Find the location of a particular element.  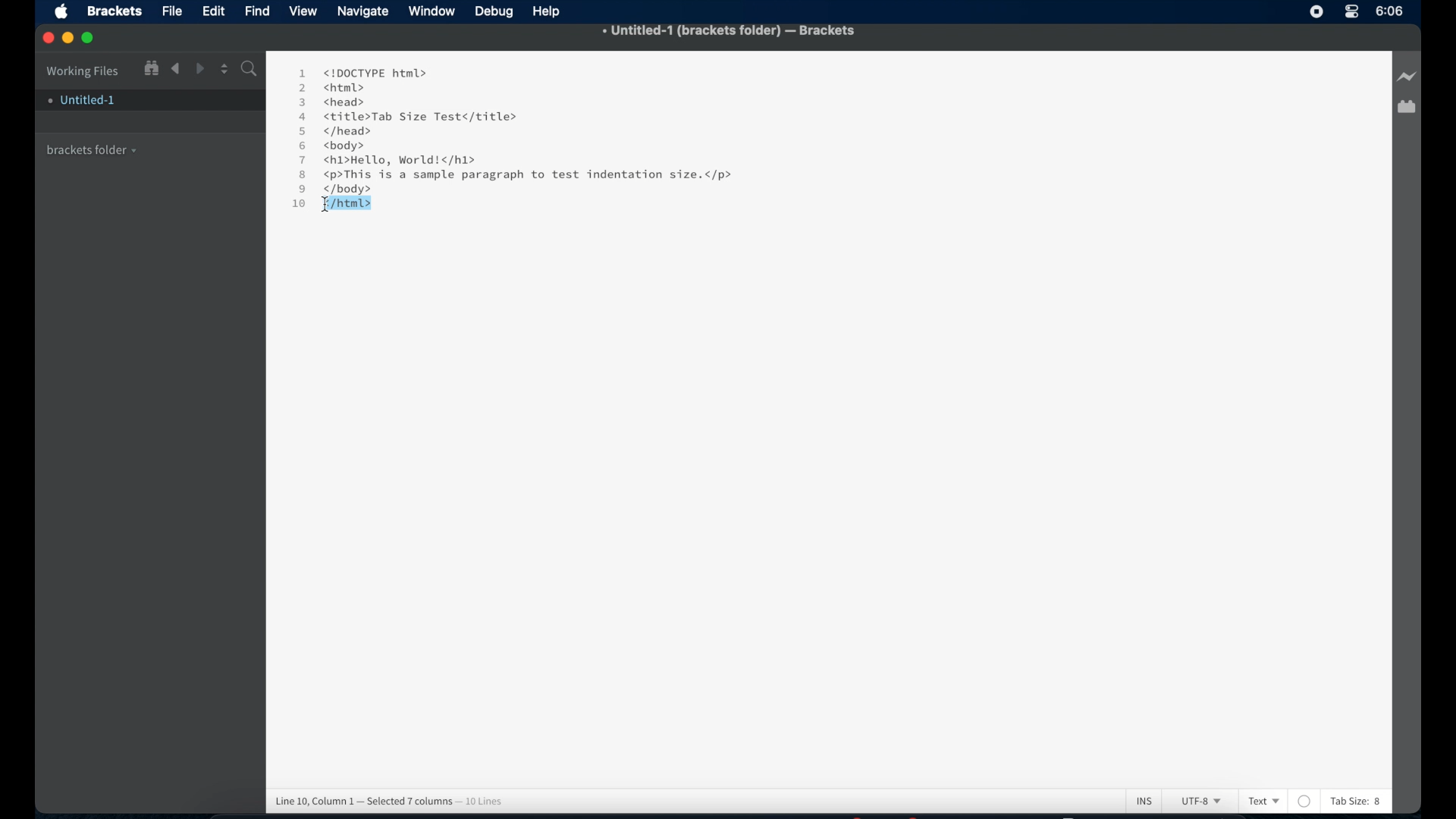

1  <!DOCTYPE html> is located at coordinates (362, 72).